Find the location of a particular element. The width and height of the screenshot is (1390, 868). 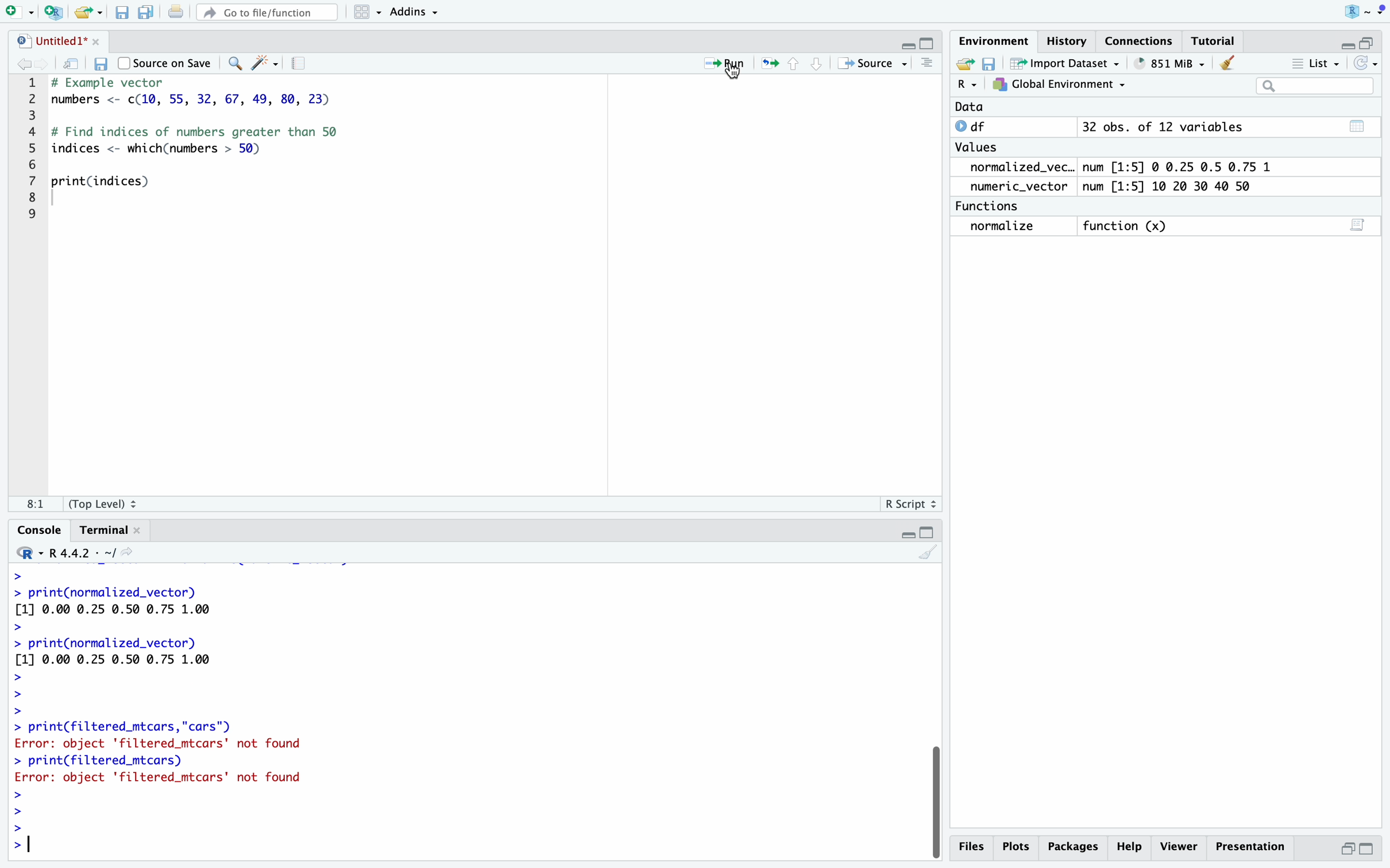

GLOBAL ENVIRONEMENT is located at coordinates (1059, 87).